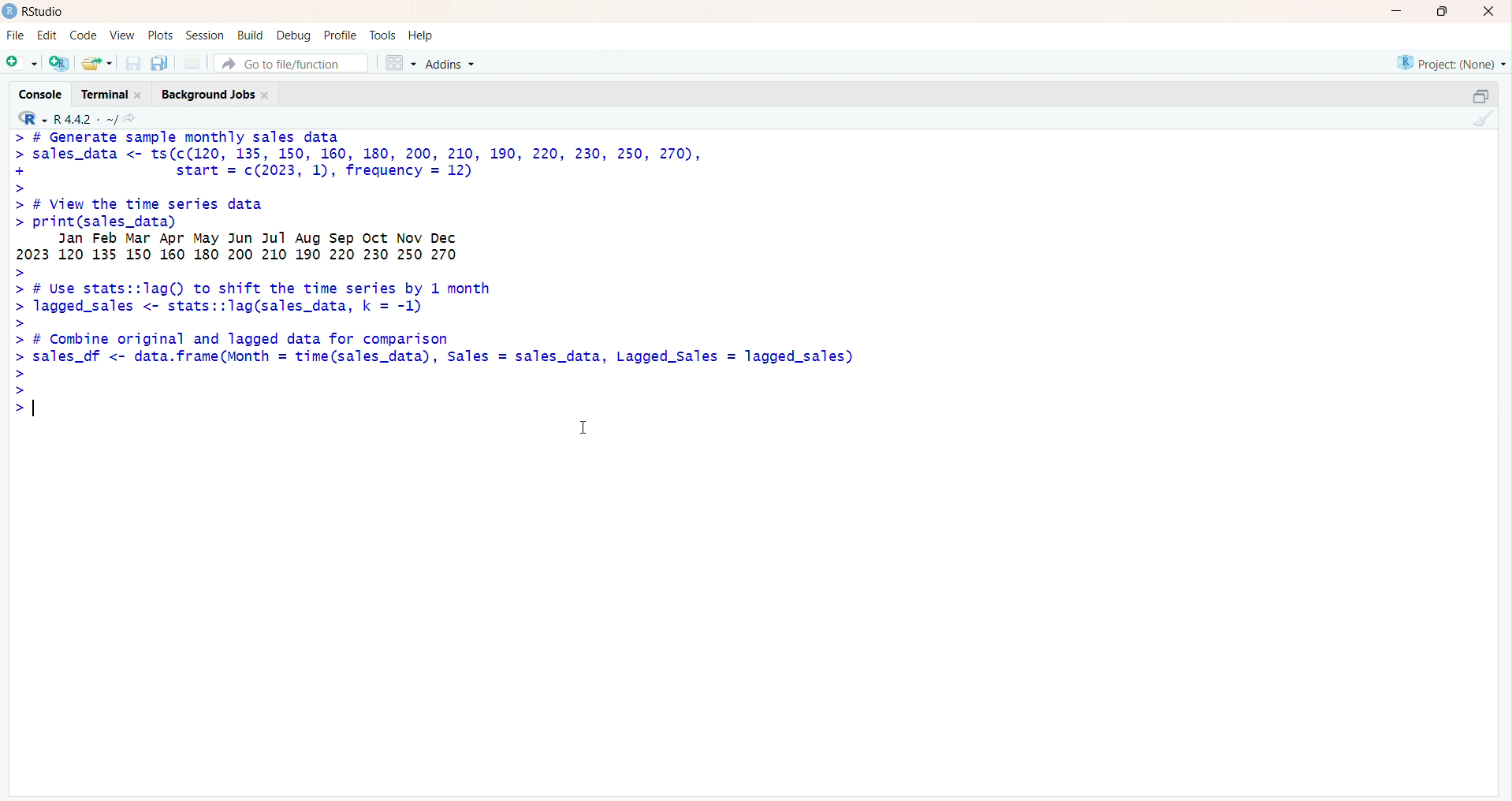  I want to click on > # Use stats::lag() to shift the time series by 1 month> lagged_sales <- stats::lag(sales_data, k = -1)>> # Combine original and lagged data for comparison> sales_df <- data.frame(Month = time(sales_data), Sales = sales_data, Lagged_Sales = lagged_sales>>>, so click(434, 345).